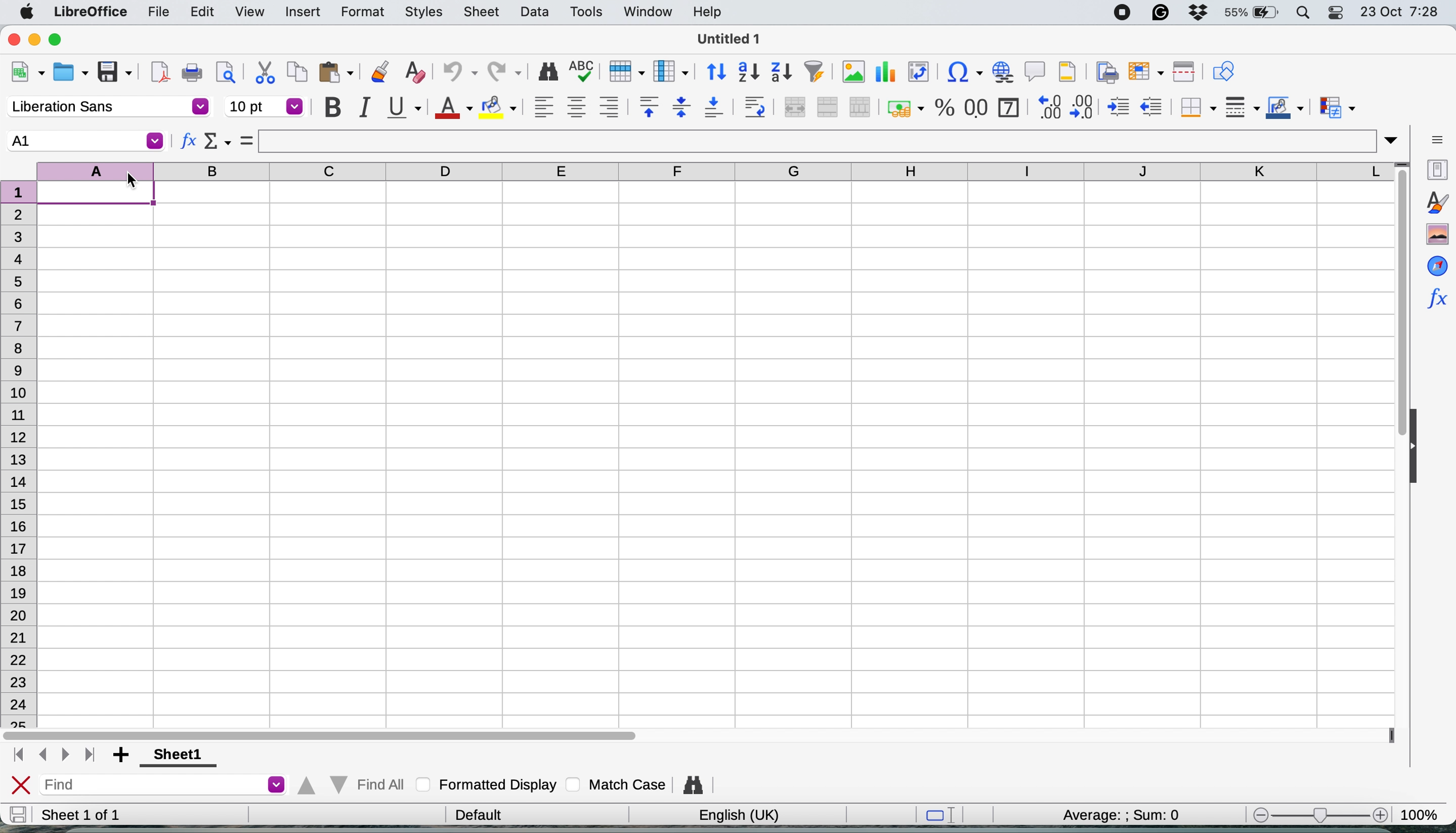 This screenshot has height=833, width=1456. Describe the element at coordinates (690, 786) in the screenshot. I see `find and replace` at that location.